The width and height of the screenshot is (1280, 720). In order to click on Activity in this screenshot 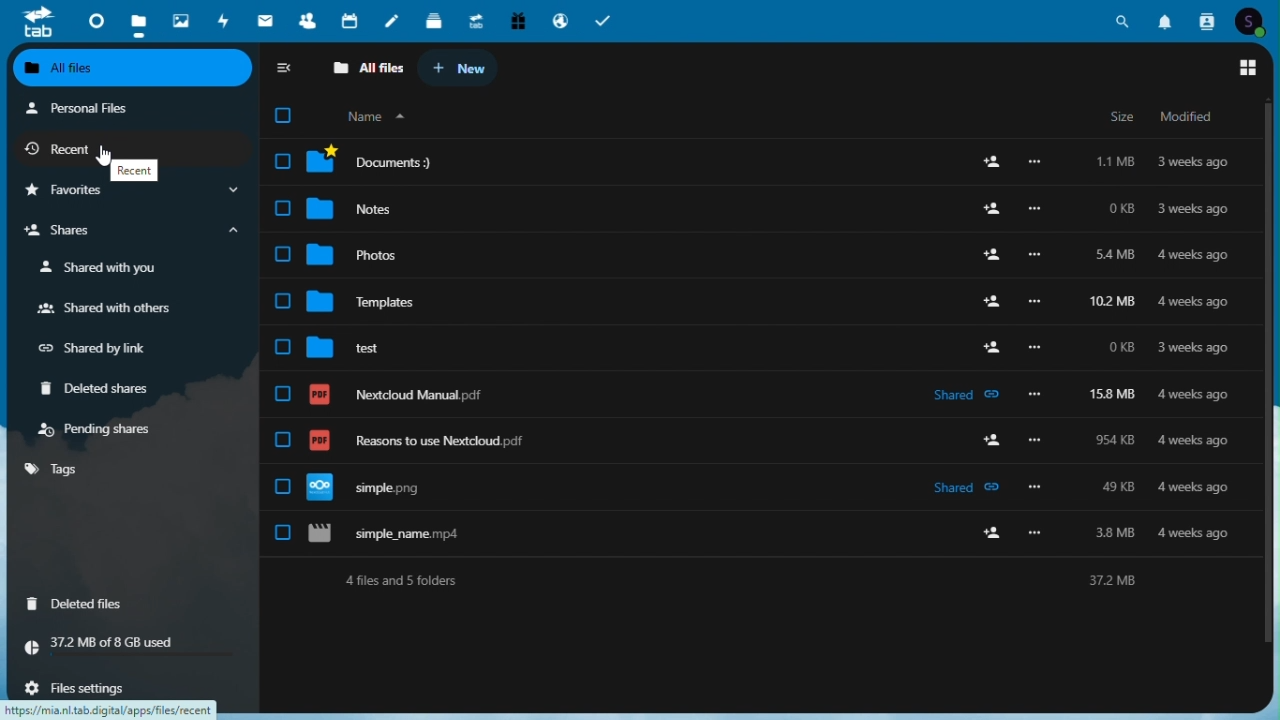, I will do `click(225, 19)`.